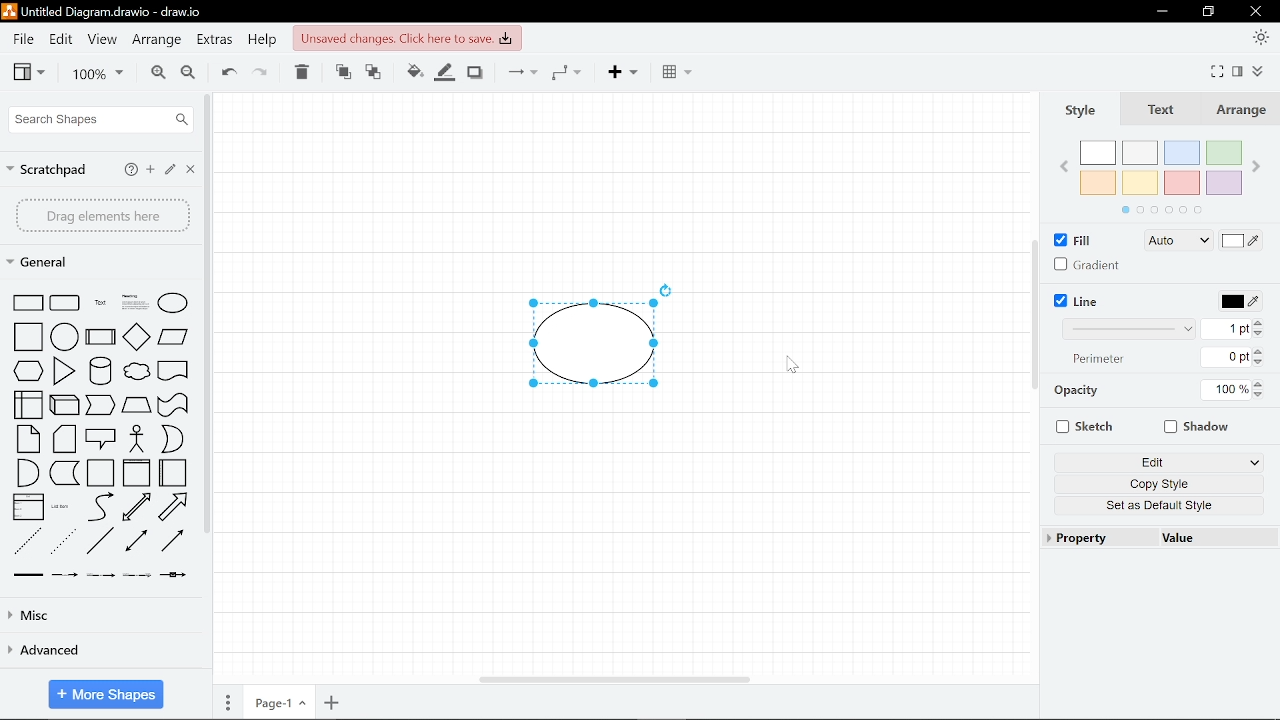  I want to click on More shapes, so click(104, 694).